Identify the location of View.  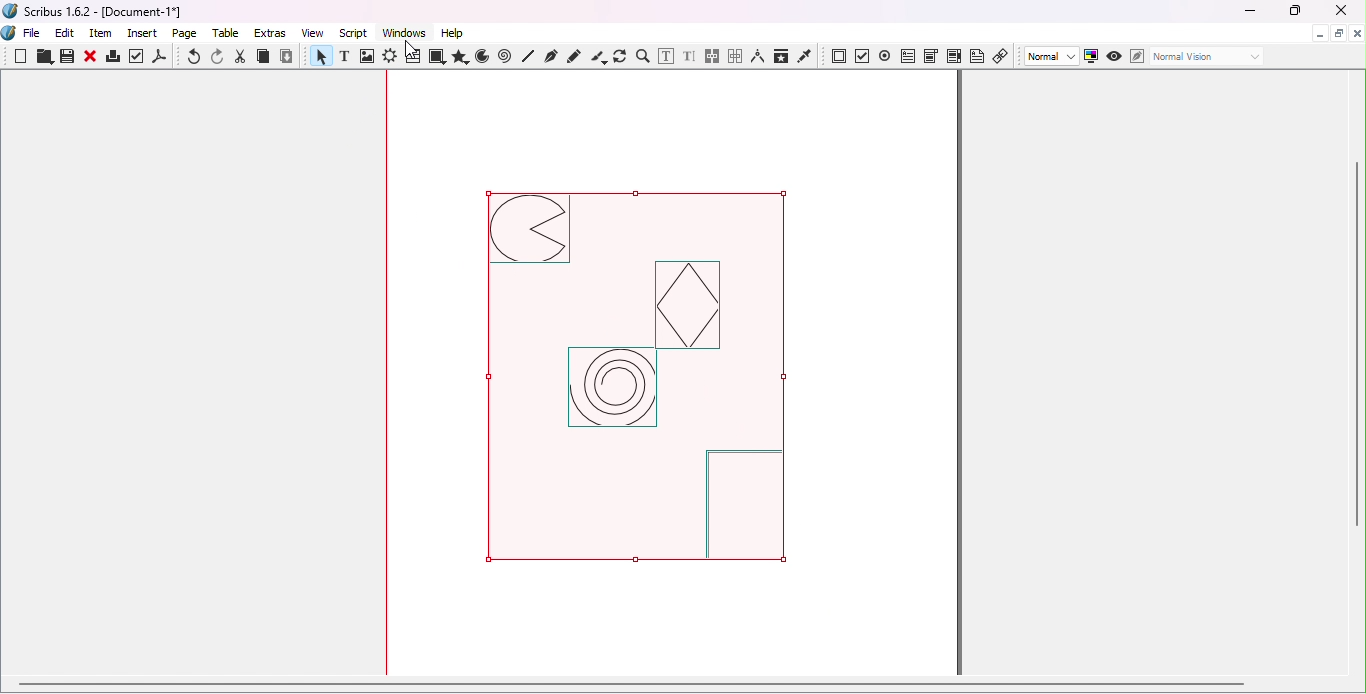
(317, 32).